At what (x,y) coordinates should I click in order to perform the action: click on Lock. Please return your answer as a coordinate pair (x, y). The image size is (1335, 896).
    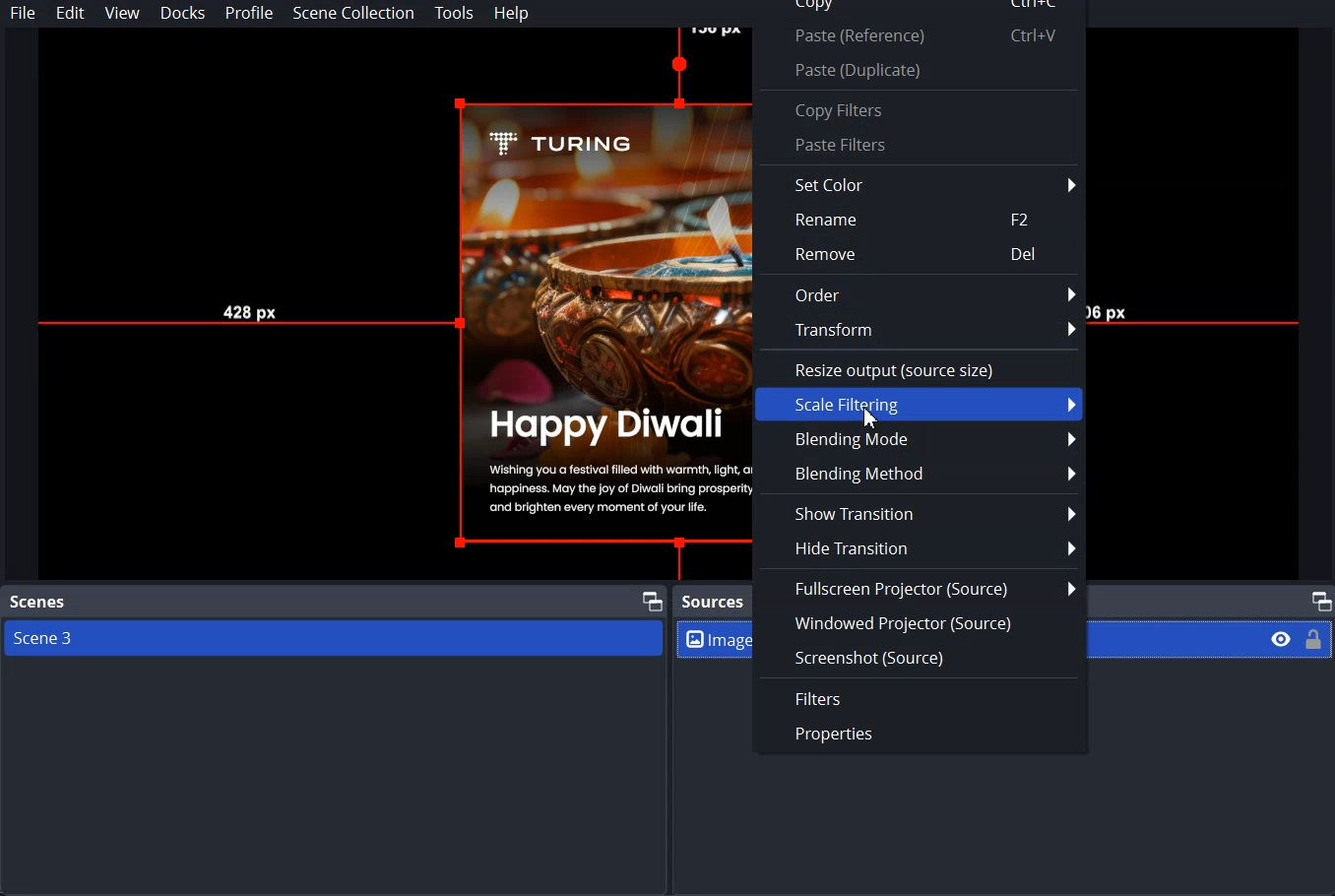
    Looking at the image, I should click on (1314, 638).